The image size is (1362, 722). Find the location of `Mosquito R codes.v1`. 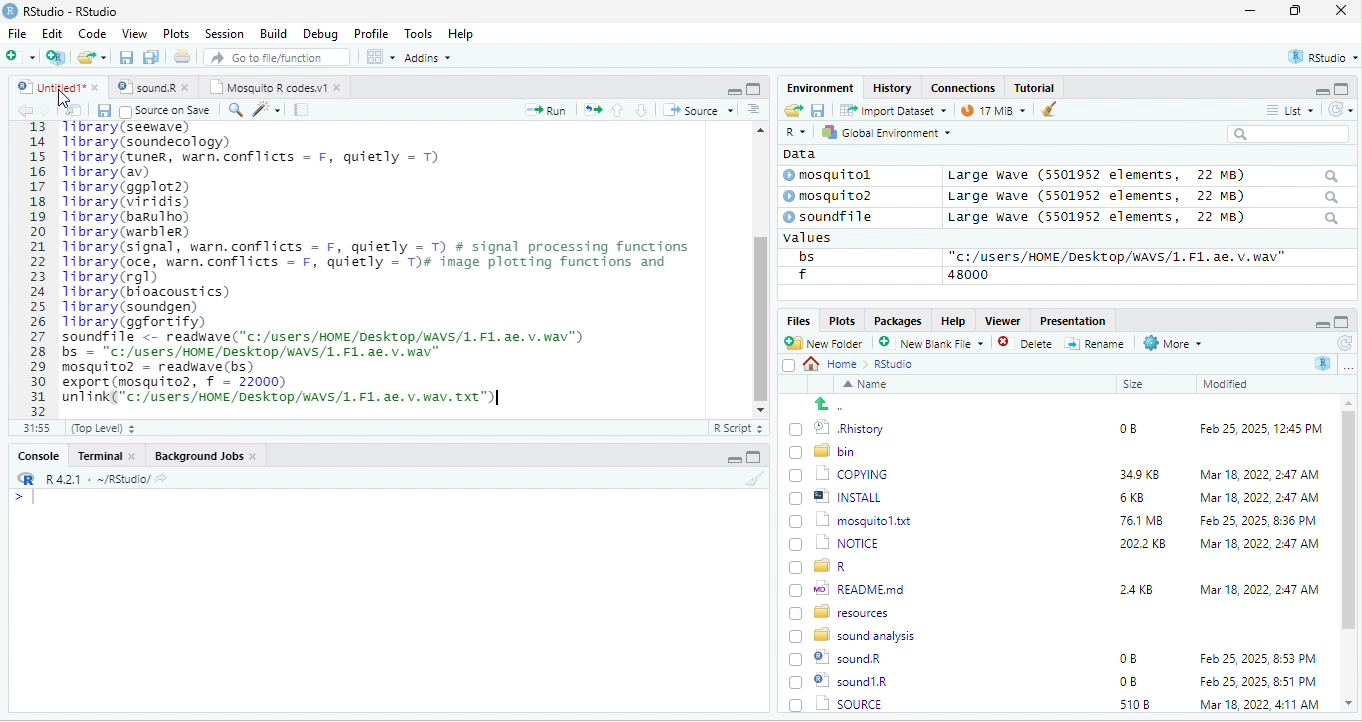

Mosquito R codes.v1 is located at coordinates (276, 87).